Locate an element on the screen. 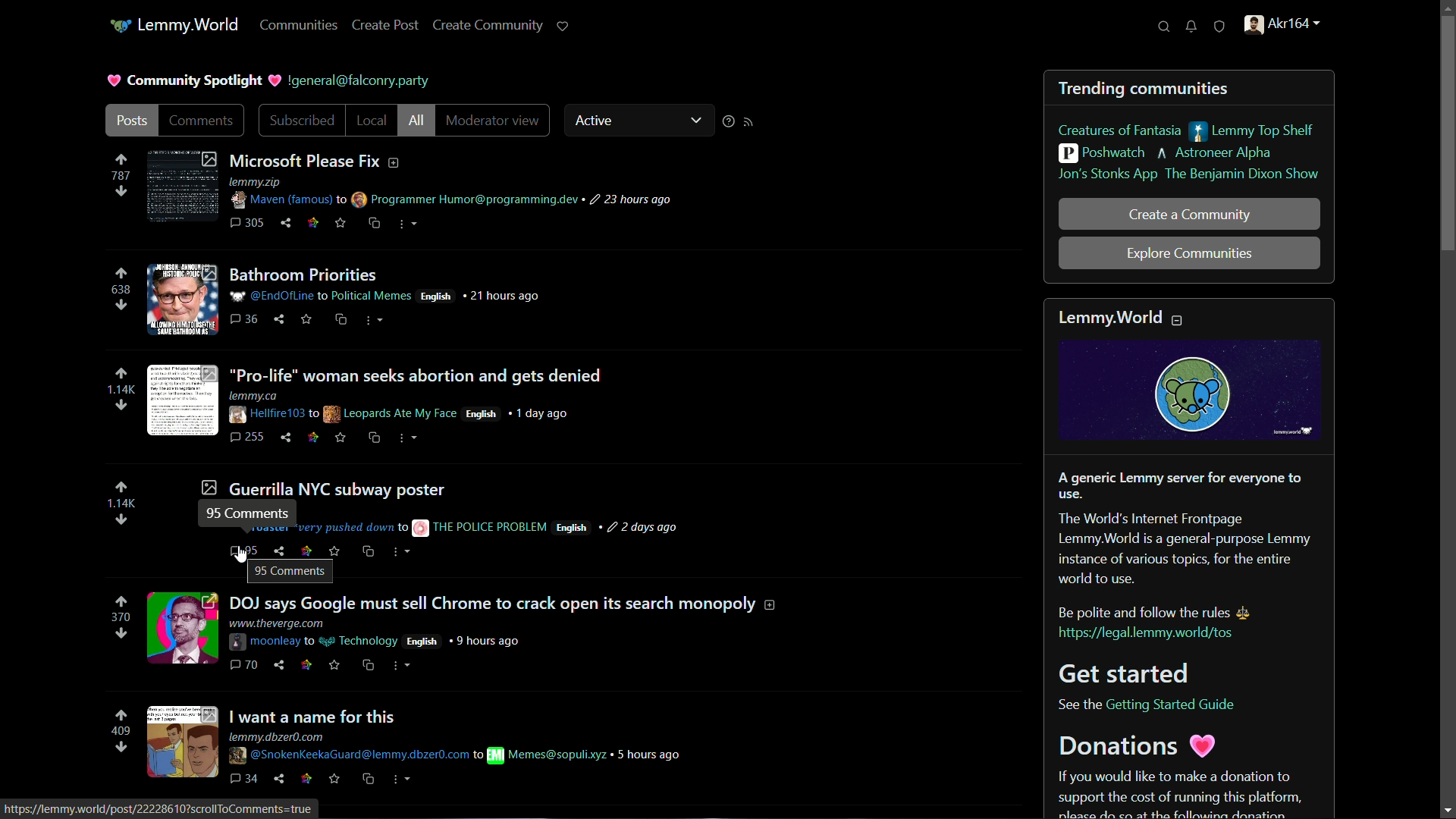 The image size is (1456, 819). 21 hours ago is located at coordinates (505, 295).